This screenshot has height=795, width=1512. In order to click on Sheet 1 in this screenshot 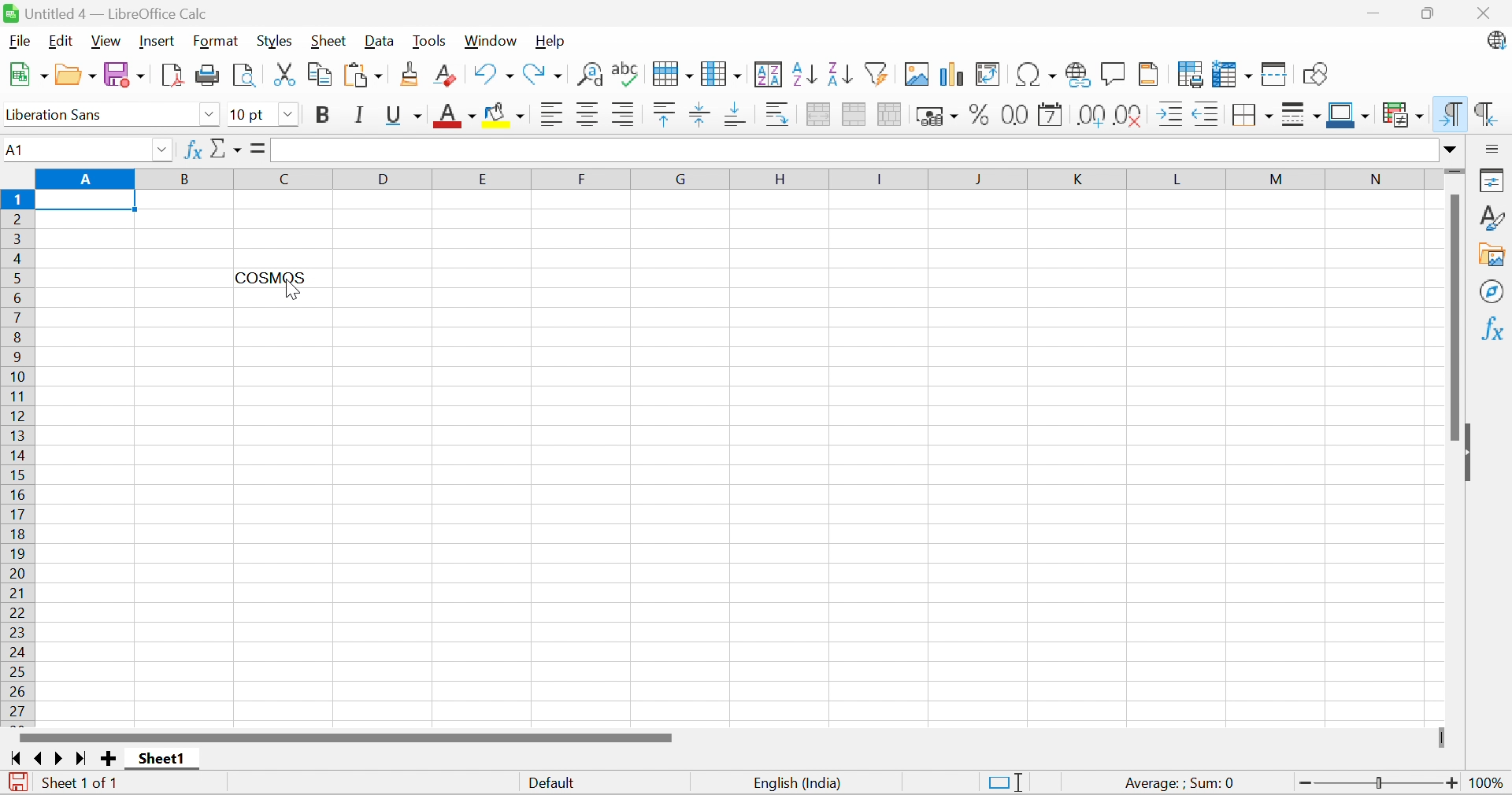, I will do `click(163, 760)`.